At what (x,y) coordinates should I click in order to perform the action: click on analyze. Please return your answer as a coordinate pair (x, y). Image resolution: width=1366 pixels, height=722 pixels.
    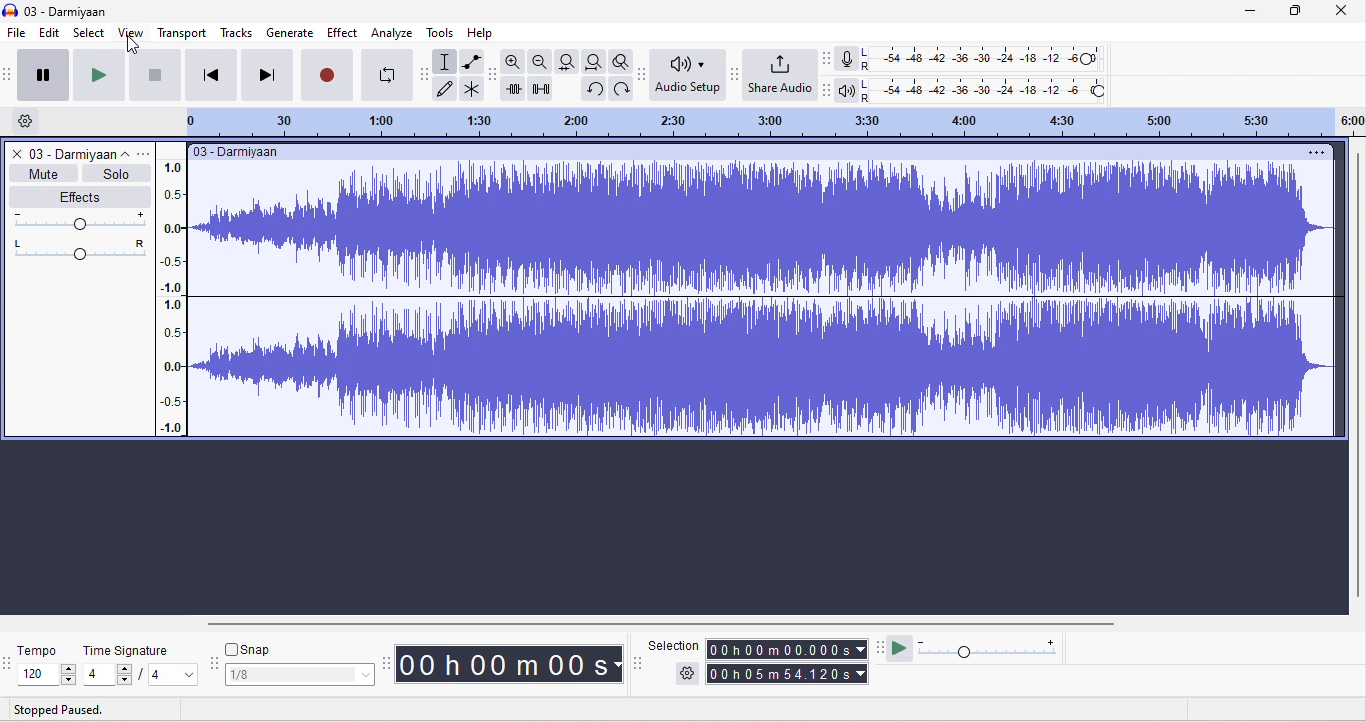
    Looking at the image, I should click on (392, 33).